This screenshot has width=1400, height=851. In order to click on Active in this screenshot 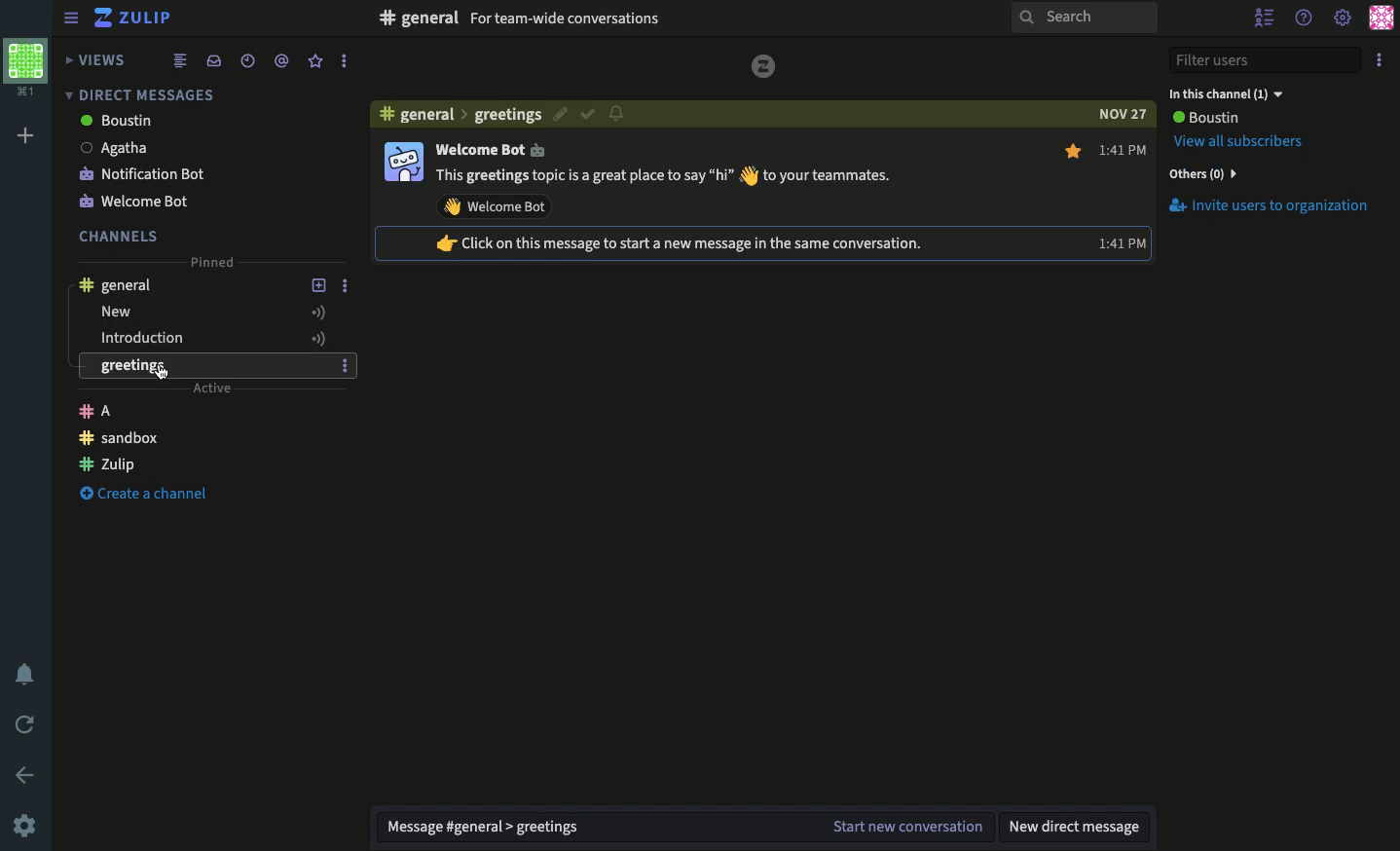, I will do `click(212, 388)`.